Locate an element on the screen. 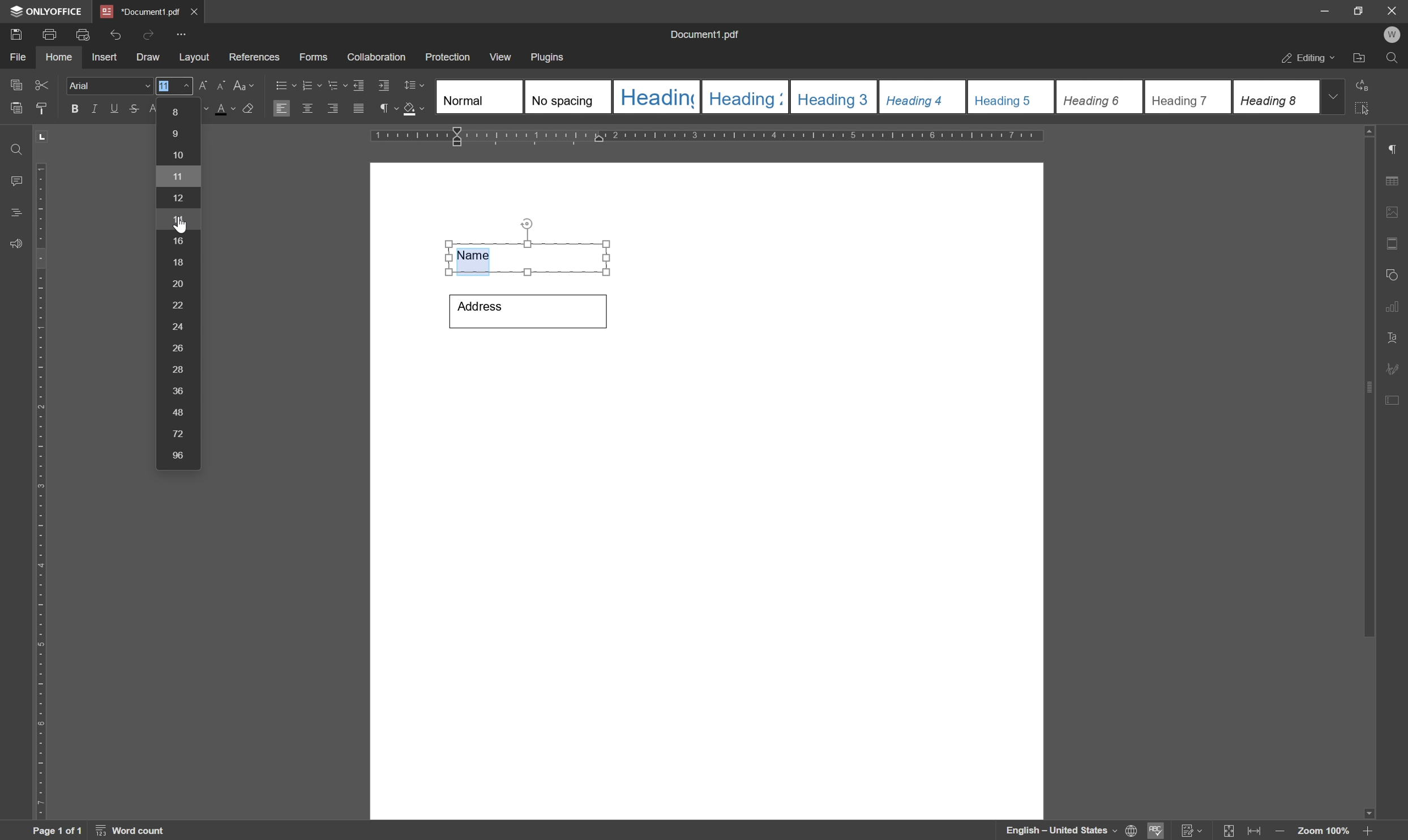 Image resolution: width=1408 pixels, height=840 pixels. comments is located at coordinates (14, 181).